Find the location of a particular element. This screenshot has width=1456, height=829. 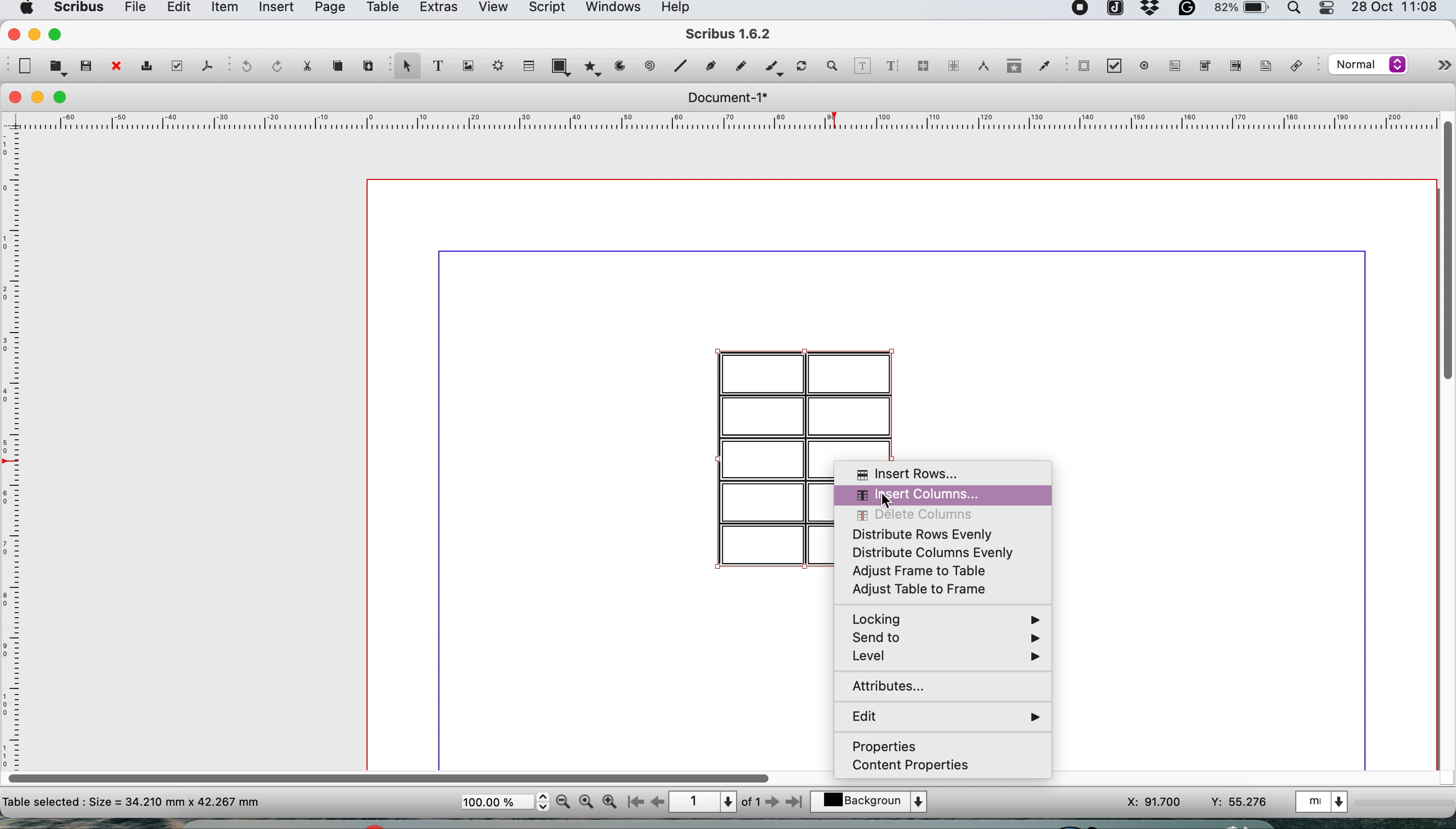

render frame is located at coordinates (495, 65).